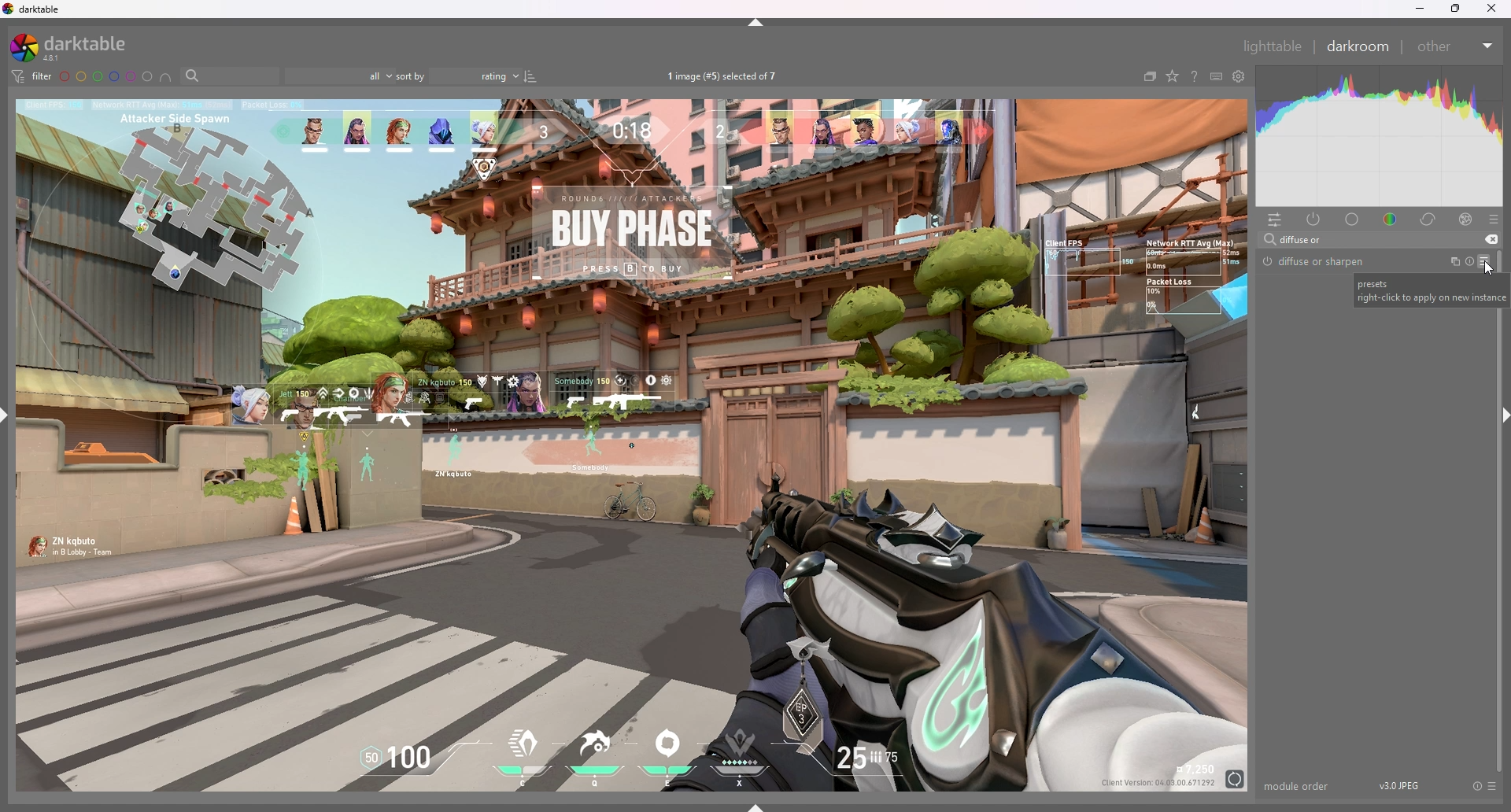 This screenshot has height=812, width=1511. I want to click on effect, so click(1465, 219).